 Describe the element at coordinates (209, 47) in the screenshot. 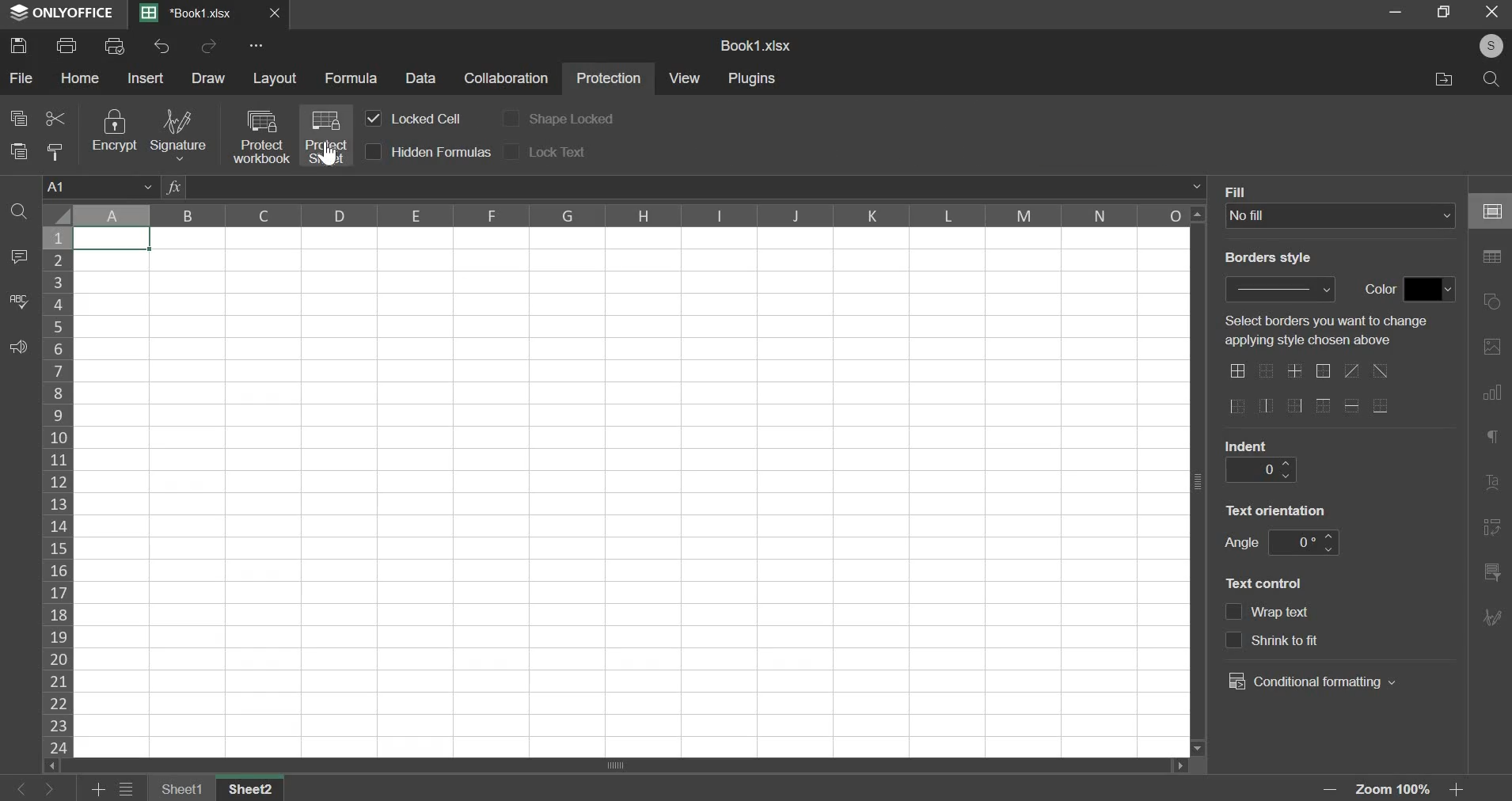

I see `redo` at that location.